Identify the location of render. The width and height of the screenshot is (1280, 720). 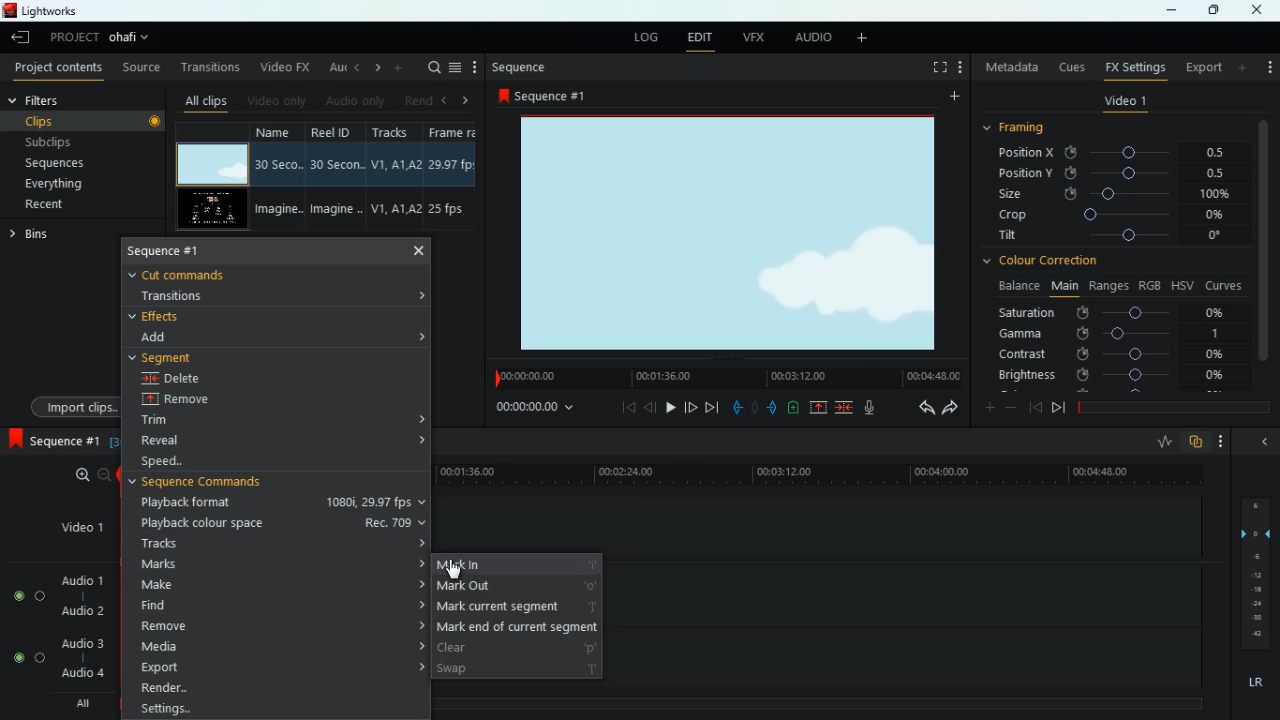
(280, 688).